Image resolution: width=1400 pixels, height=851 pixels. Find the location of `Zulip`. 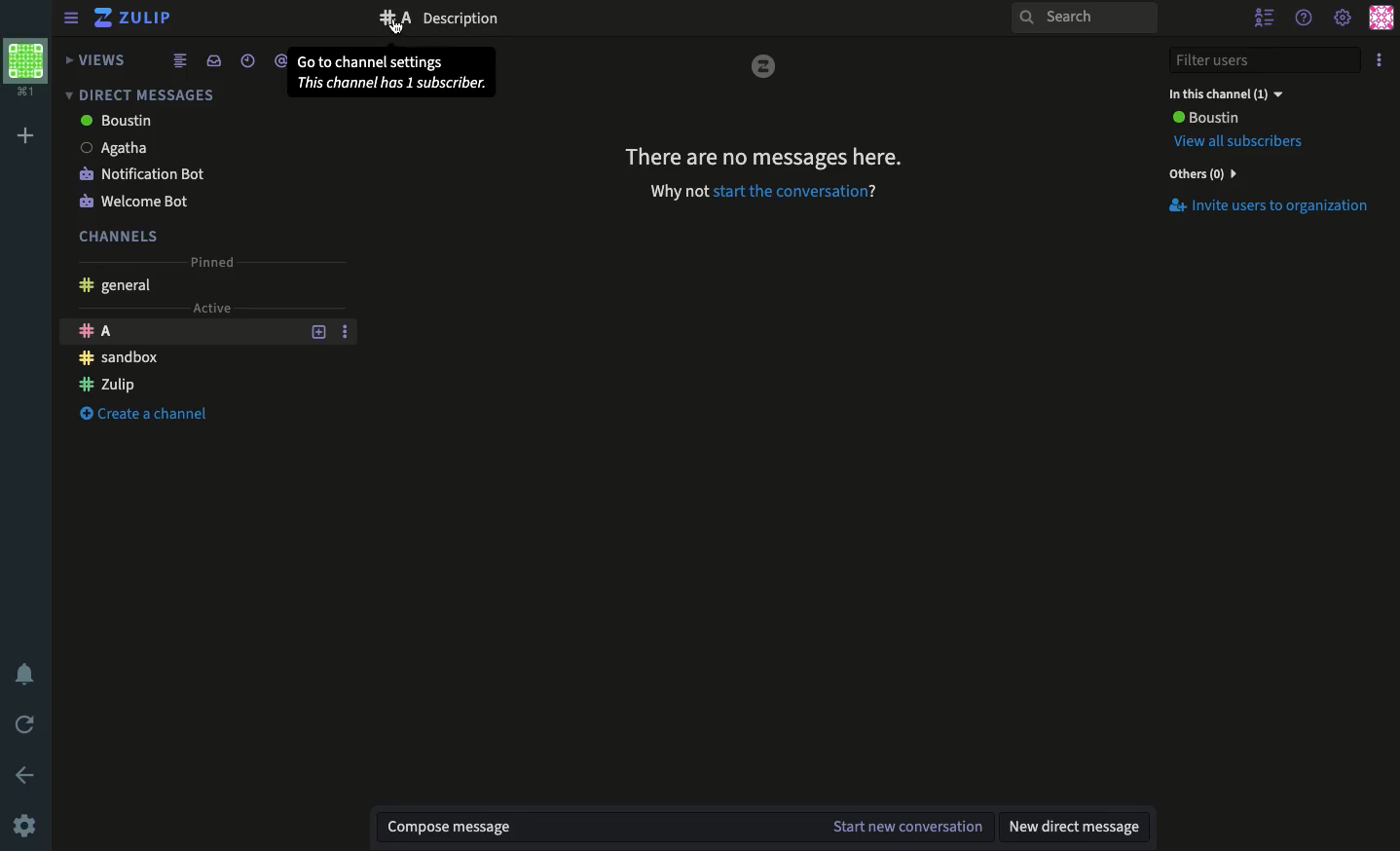

Zulip is located at coordinates (136, 19).